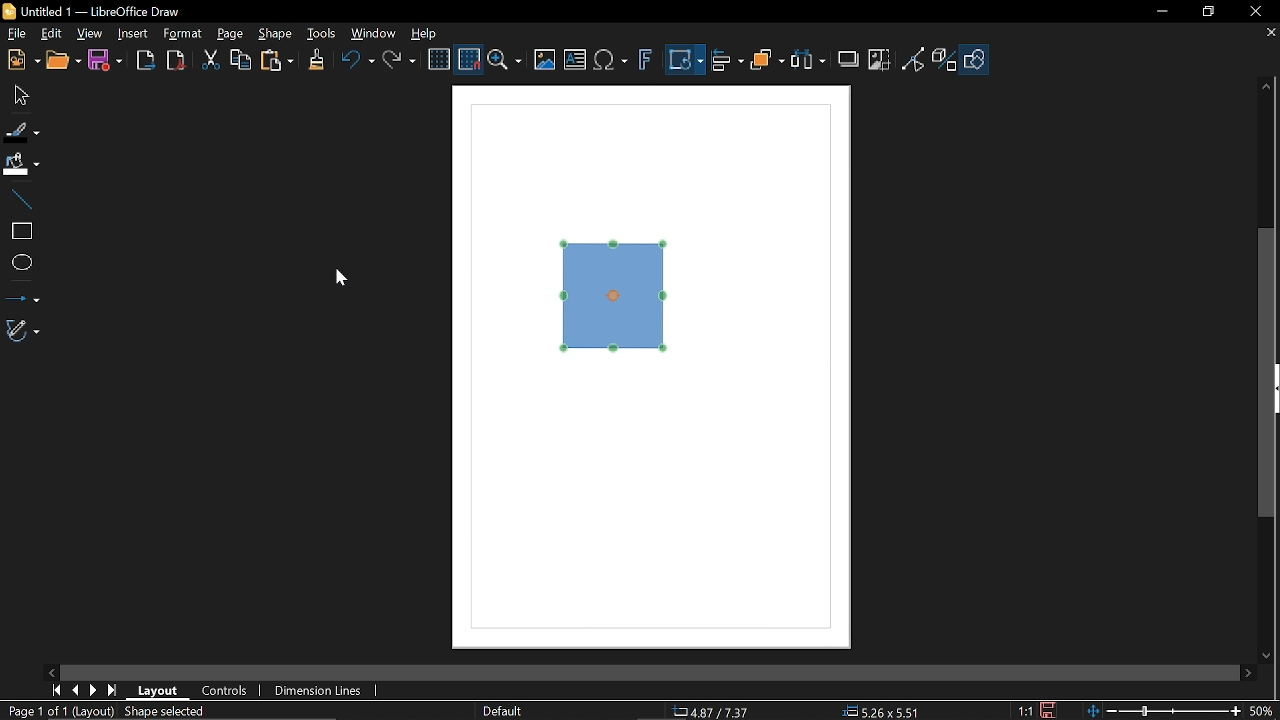  Describe the element at coordinates (1272, 33) in the screenshot. I see `Close tab` at that location.